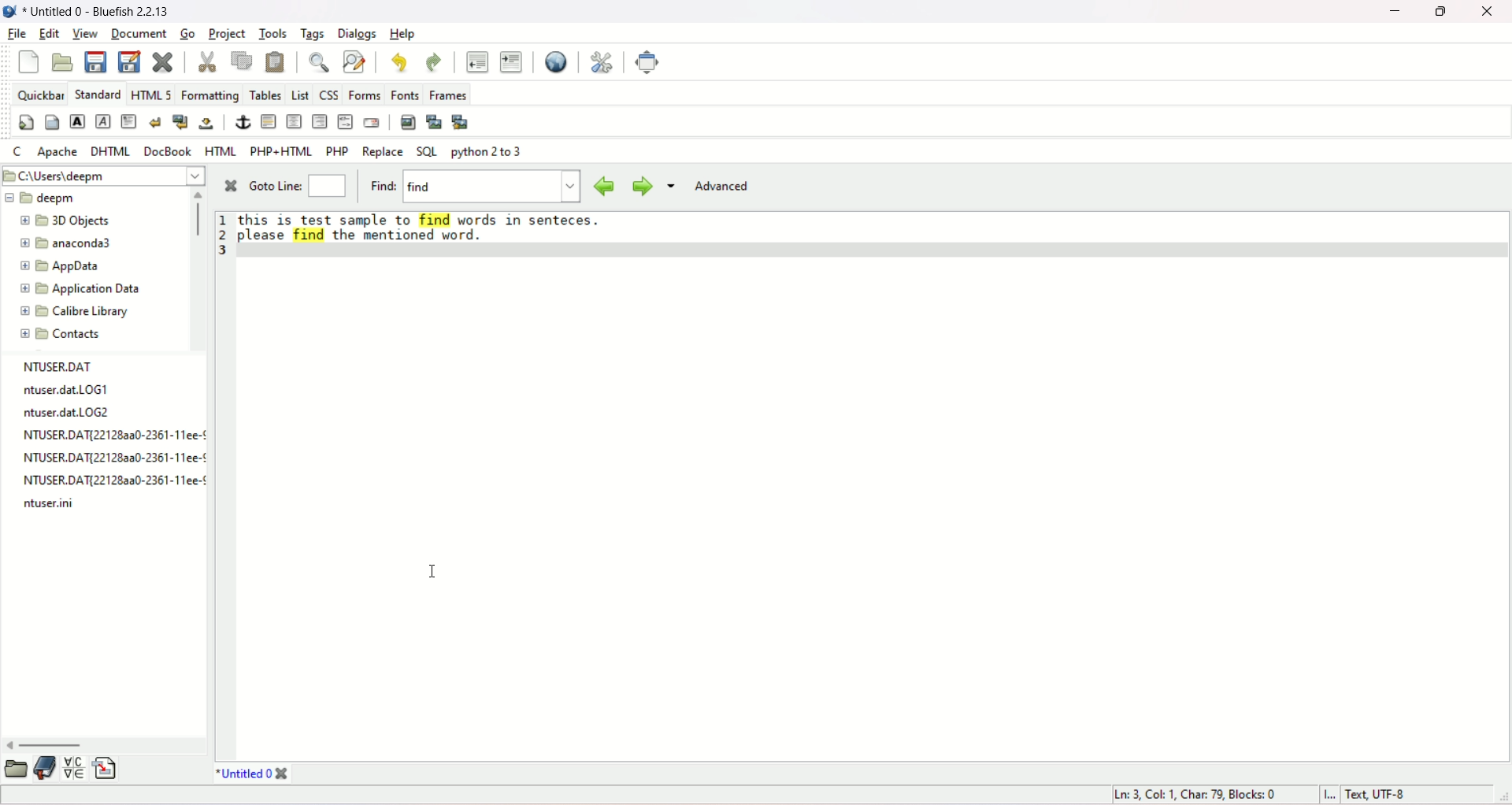 This screenshot has height=805, width=1512. I want to click on PHP, so click(337, 150).